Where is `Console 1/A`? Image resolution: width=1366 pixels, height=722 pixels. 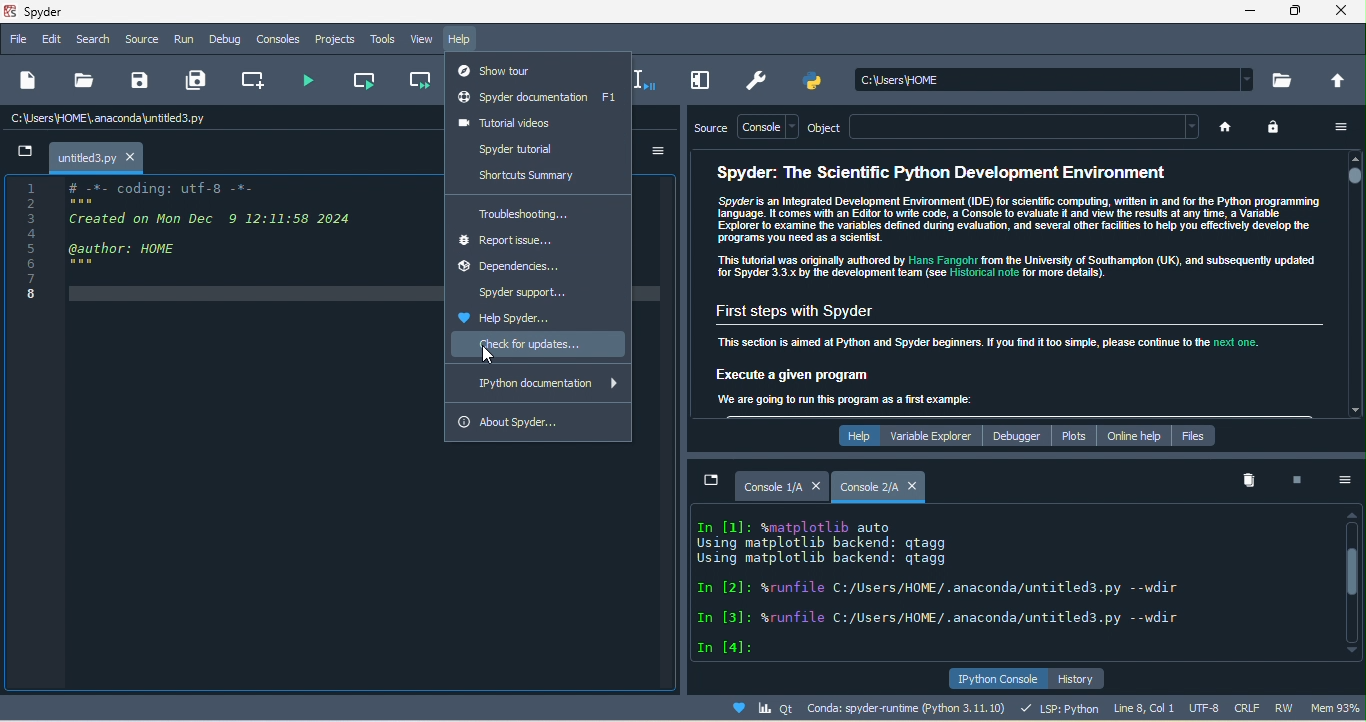
Console 1/A is located at coordinates (773, 487).